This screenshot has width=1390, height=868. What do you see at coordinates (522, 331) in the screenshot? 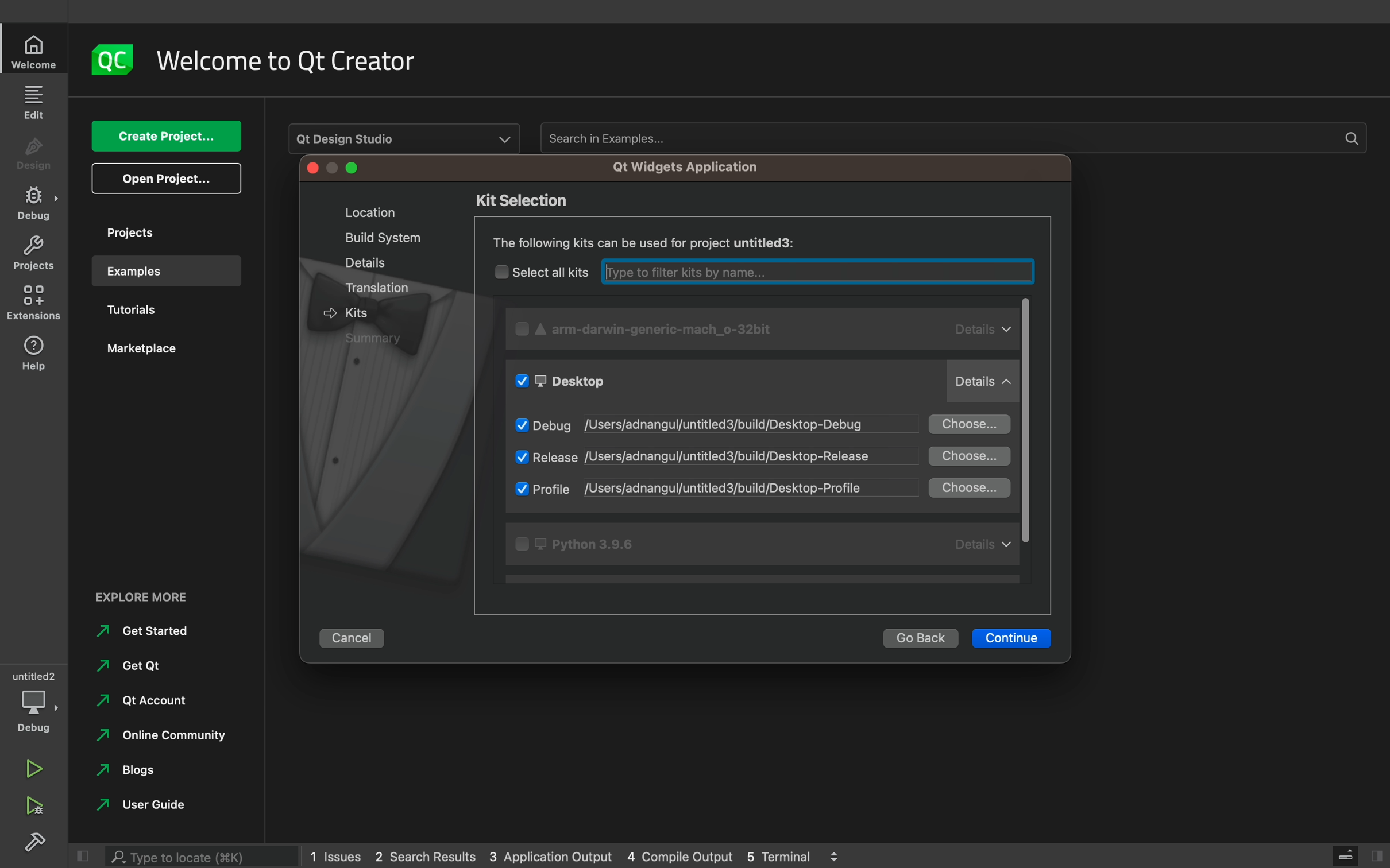
I see `check button` at bounding box center [522, 331].